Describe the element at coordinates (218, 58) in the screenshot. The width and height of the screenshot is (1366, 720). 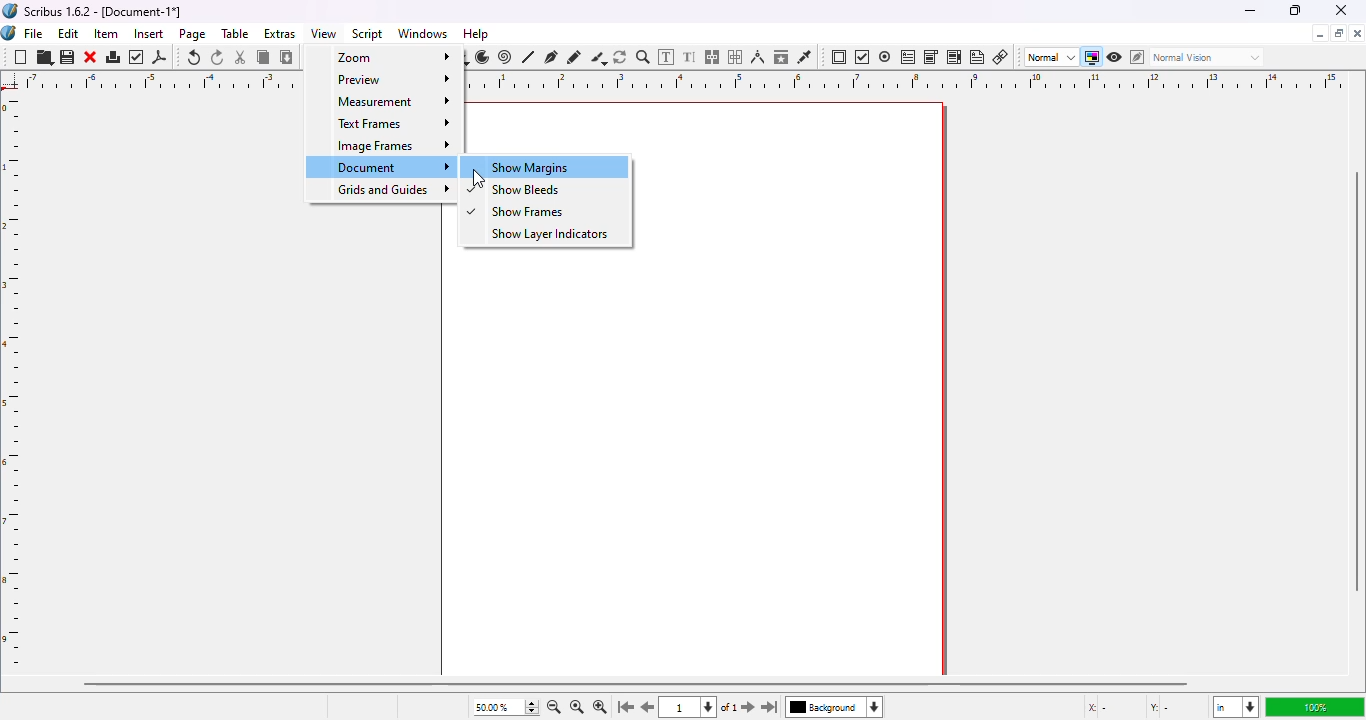
I see `redo` at that location.